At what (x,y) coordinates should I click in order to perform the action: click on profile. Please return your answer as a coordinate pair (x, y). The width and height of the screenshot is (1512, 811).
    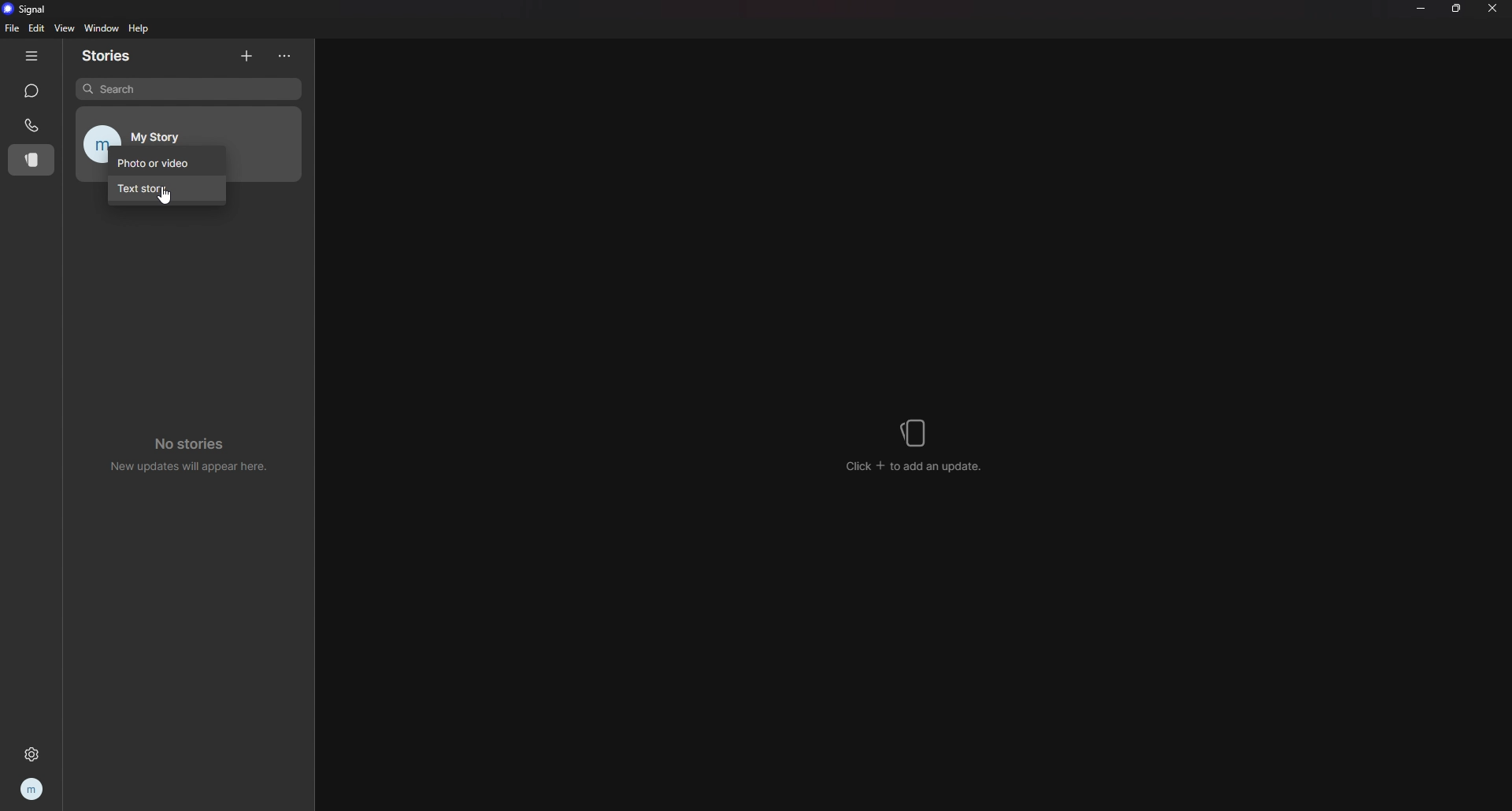
    Looking at the image, I should click on (33, 789).